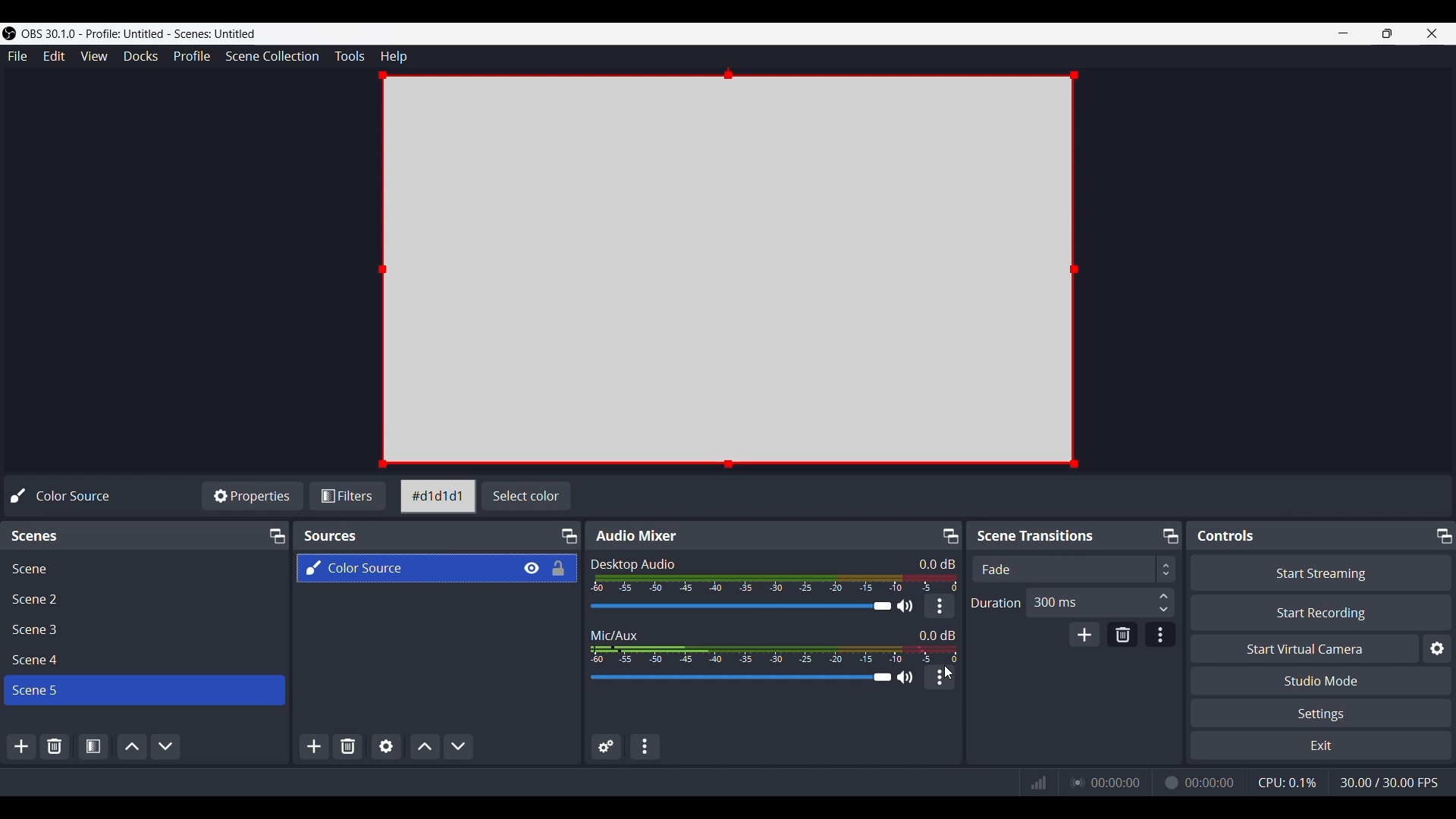 The image size is (1456, 819). I want to click on Remove Configurable transition, so click(1122, 634).